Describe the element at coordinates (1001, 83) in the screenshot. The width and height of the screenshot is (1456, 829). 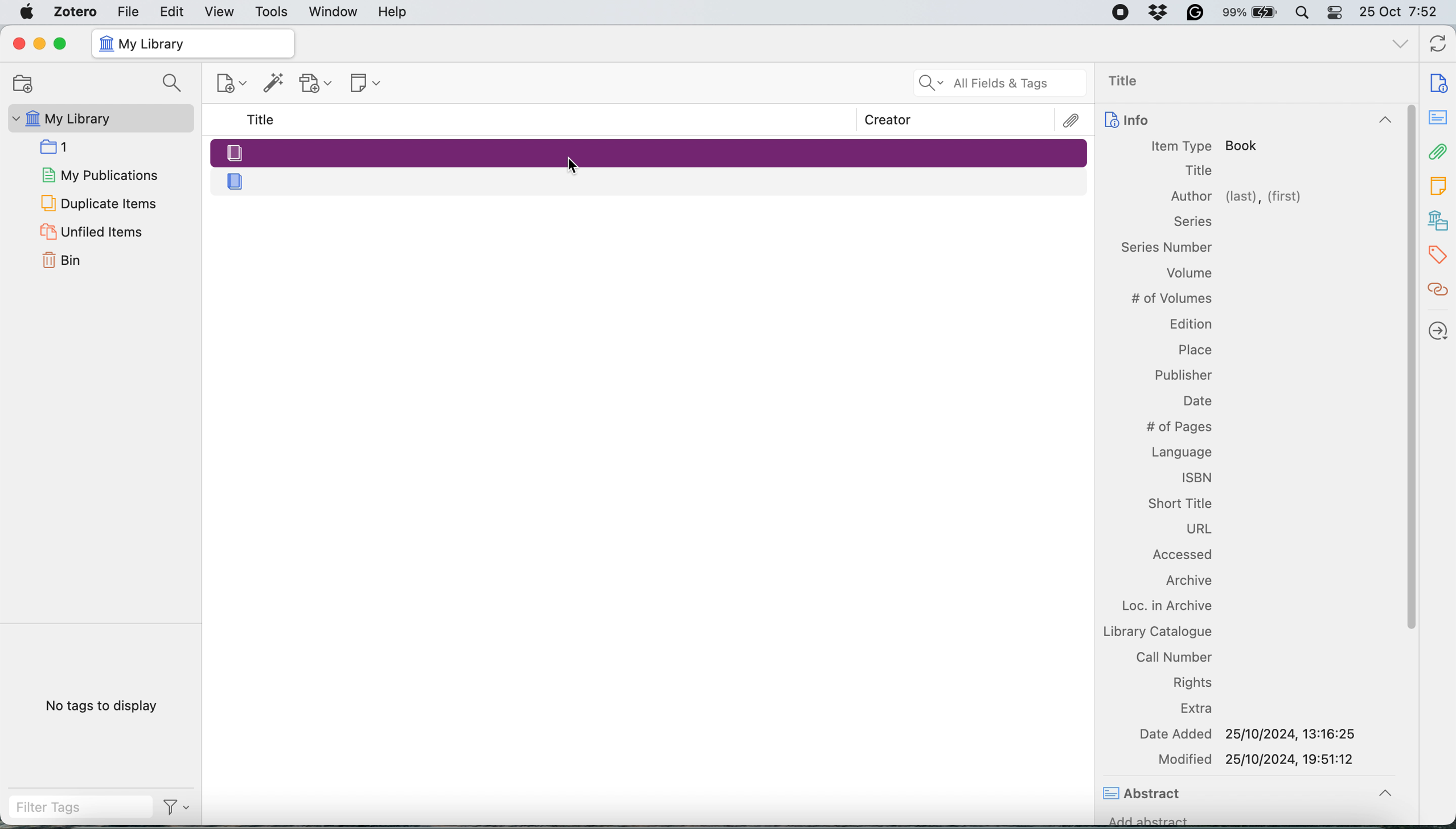
I see `All Fields & Tags` at that location.